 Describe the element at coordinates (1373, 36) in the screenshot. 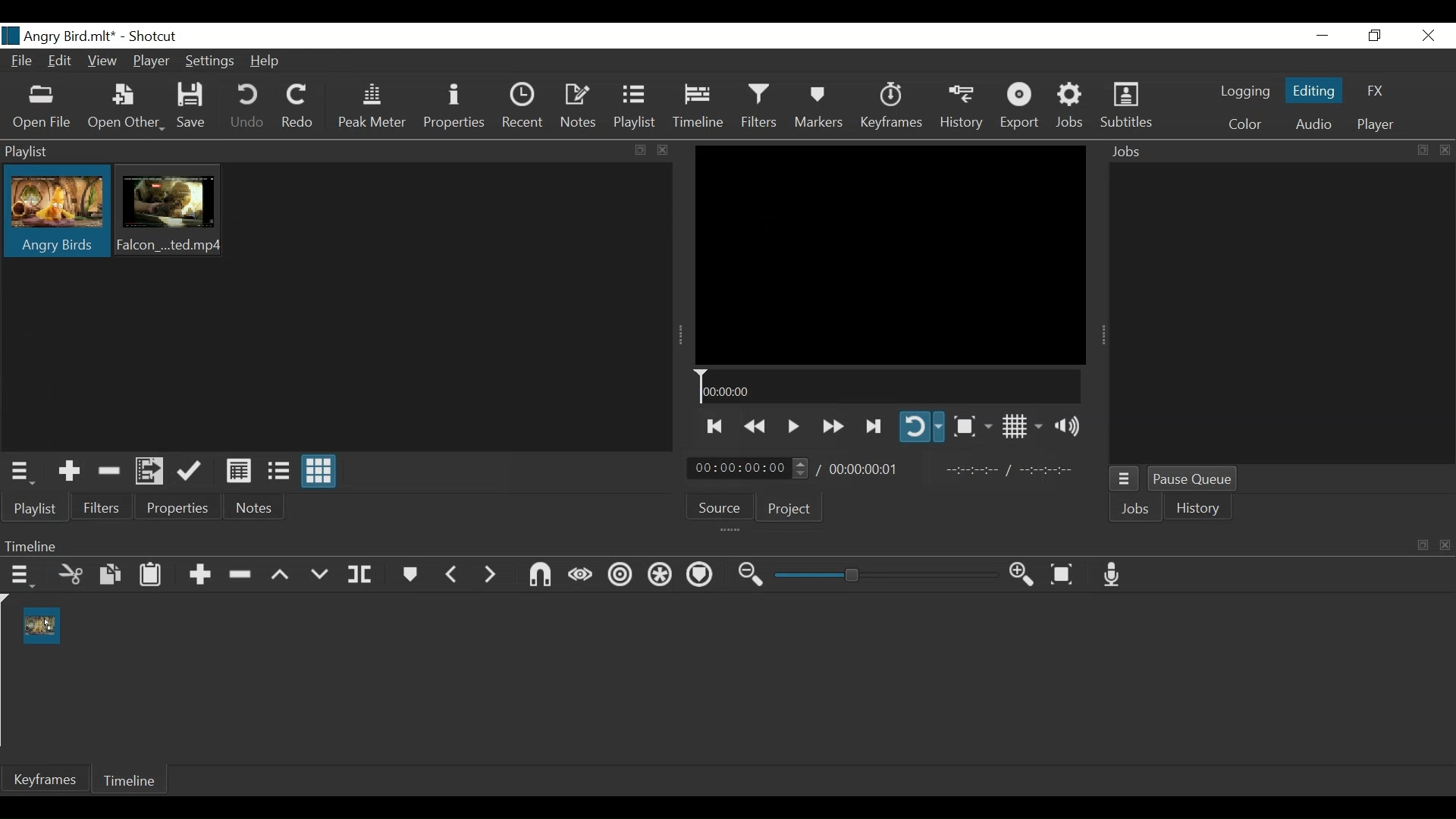

I see `Restore` at that location.